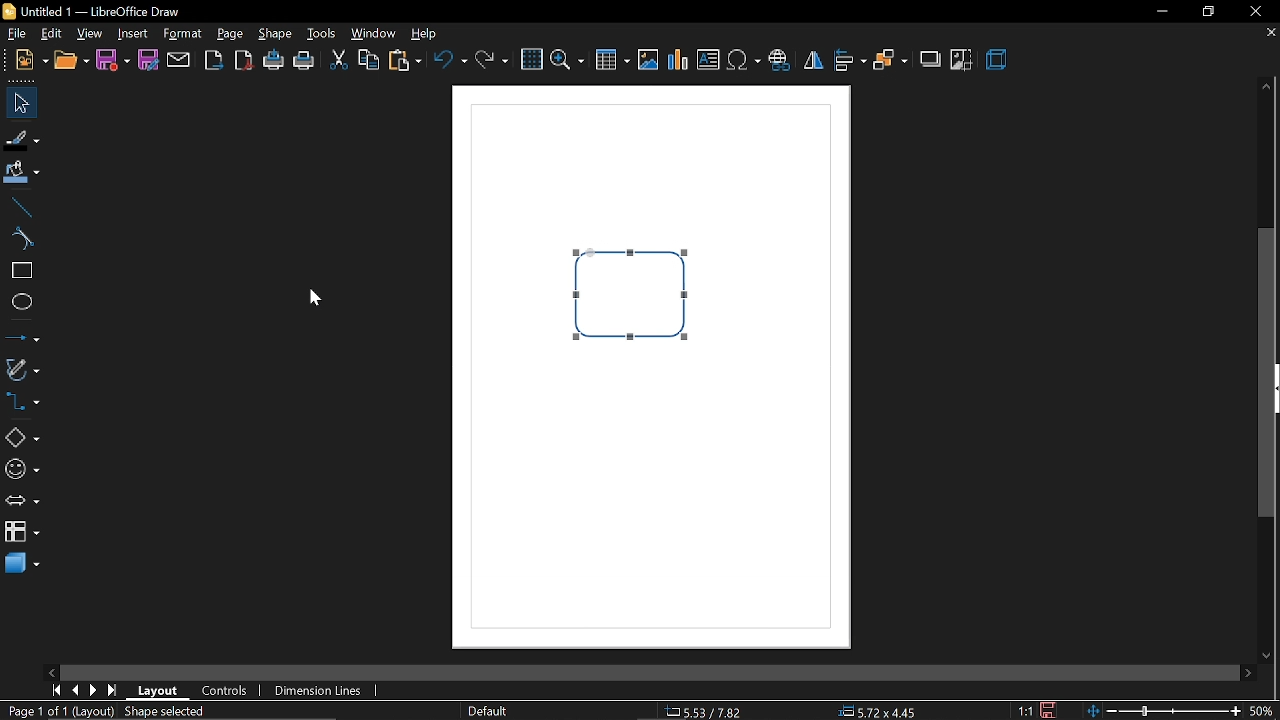 The height and width of the screenshot is (720, 1280). What do you see at coordinates (54, 690) in the screenshot?
I see `go to first page` at bounding box center [54, 690].